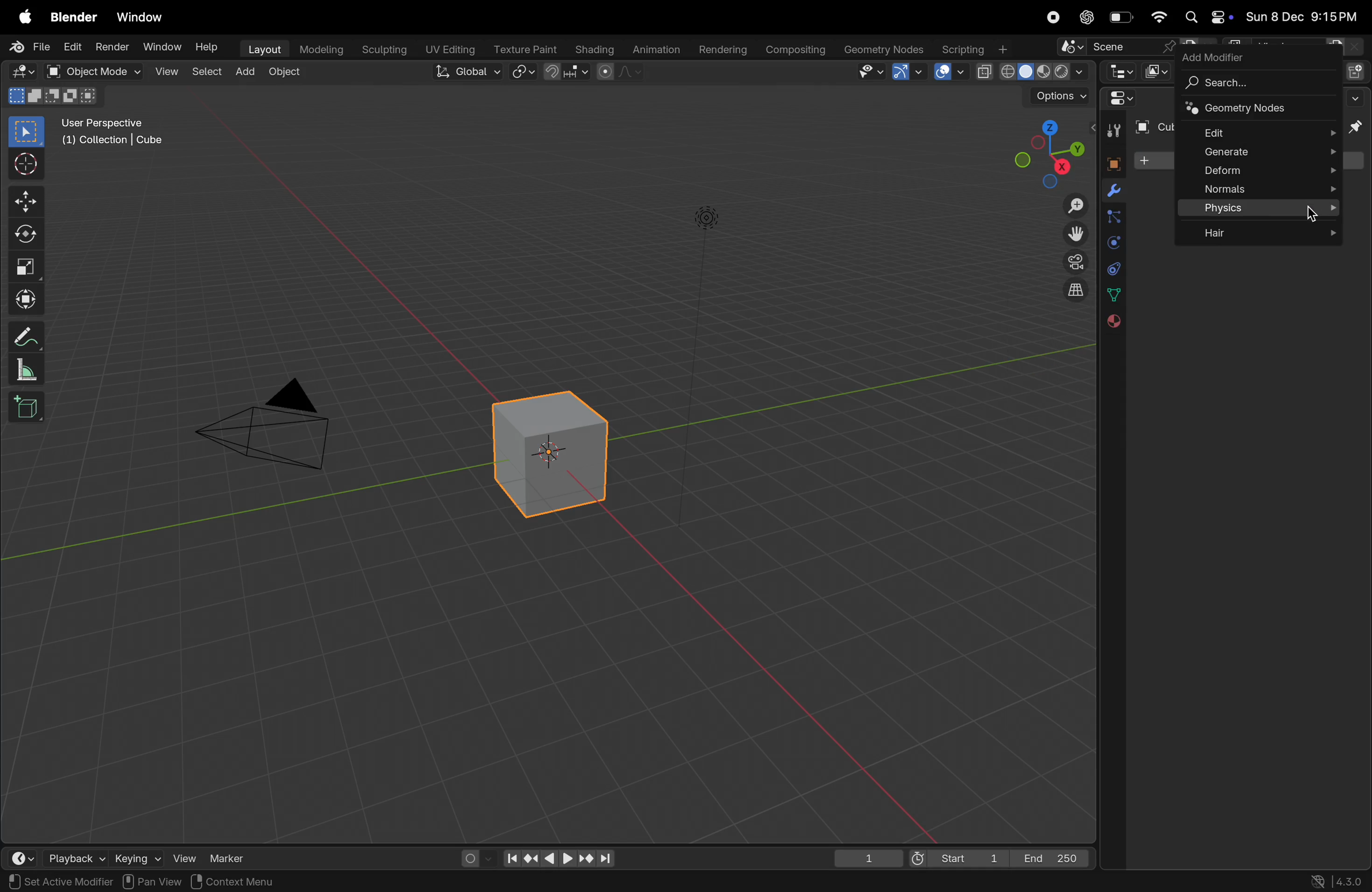 The image size is (1372, 892). I want to click on auto keying, so click(472, 856).